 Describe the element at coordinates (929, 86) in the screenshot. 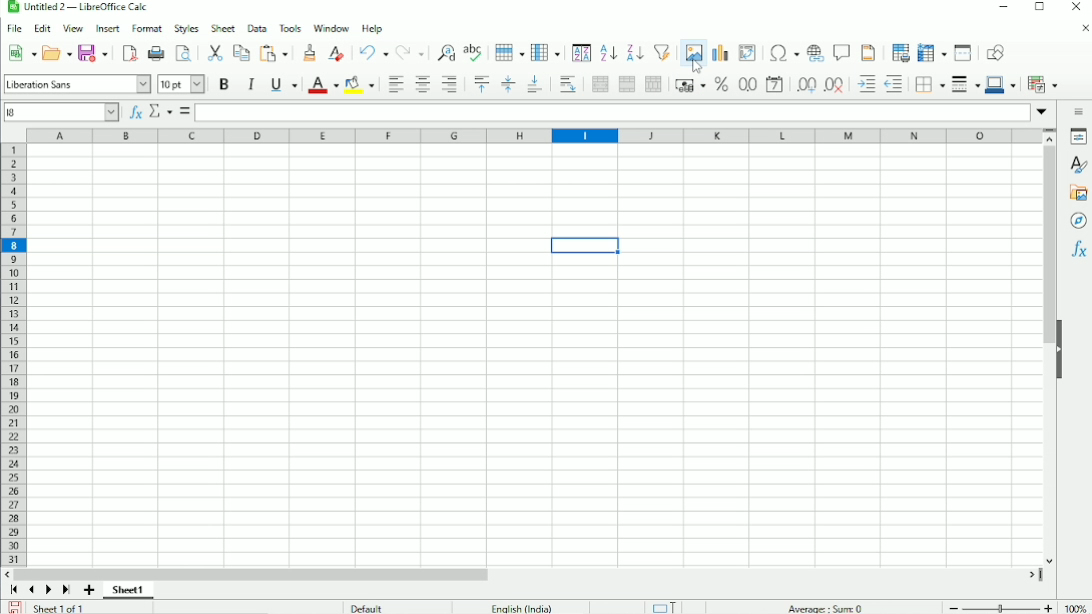

I see `Borders` at that location.